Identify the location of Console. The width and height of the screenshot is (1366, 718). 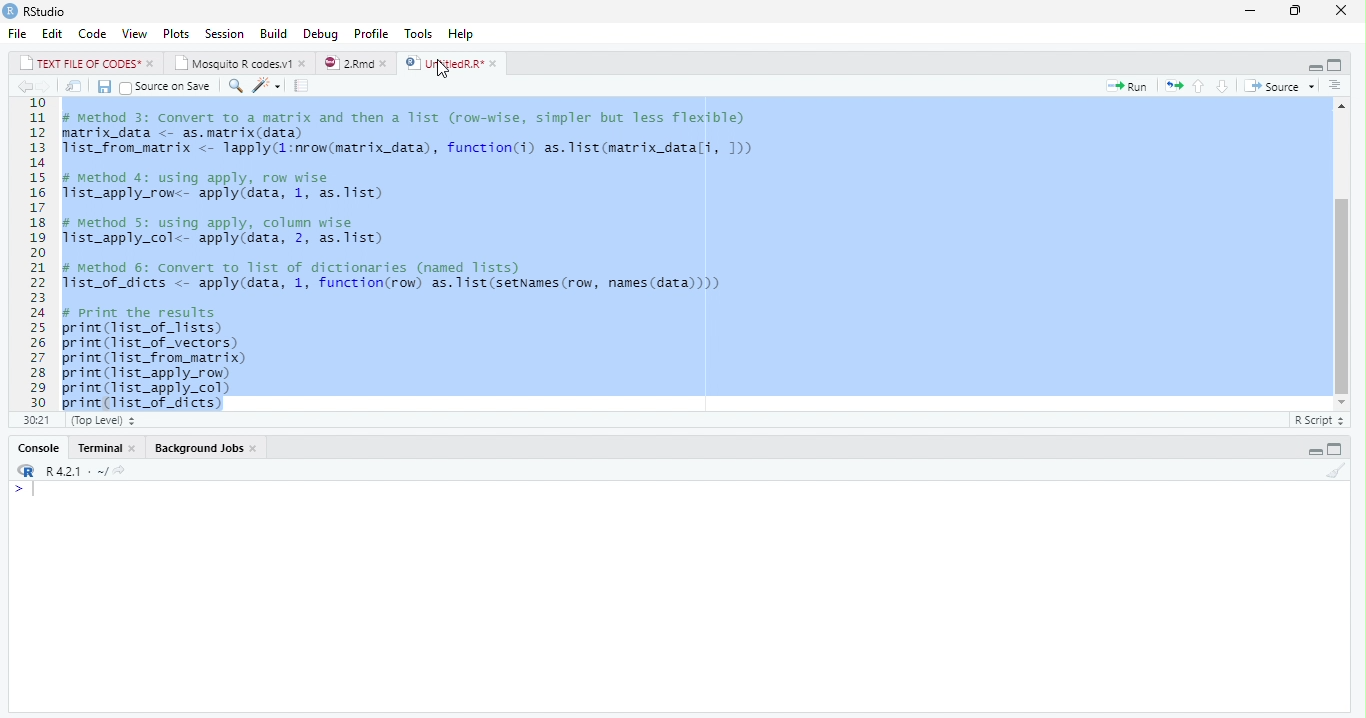
(104, 448).